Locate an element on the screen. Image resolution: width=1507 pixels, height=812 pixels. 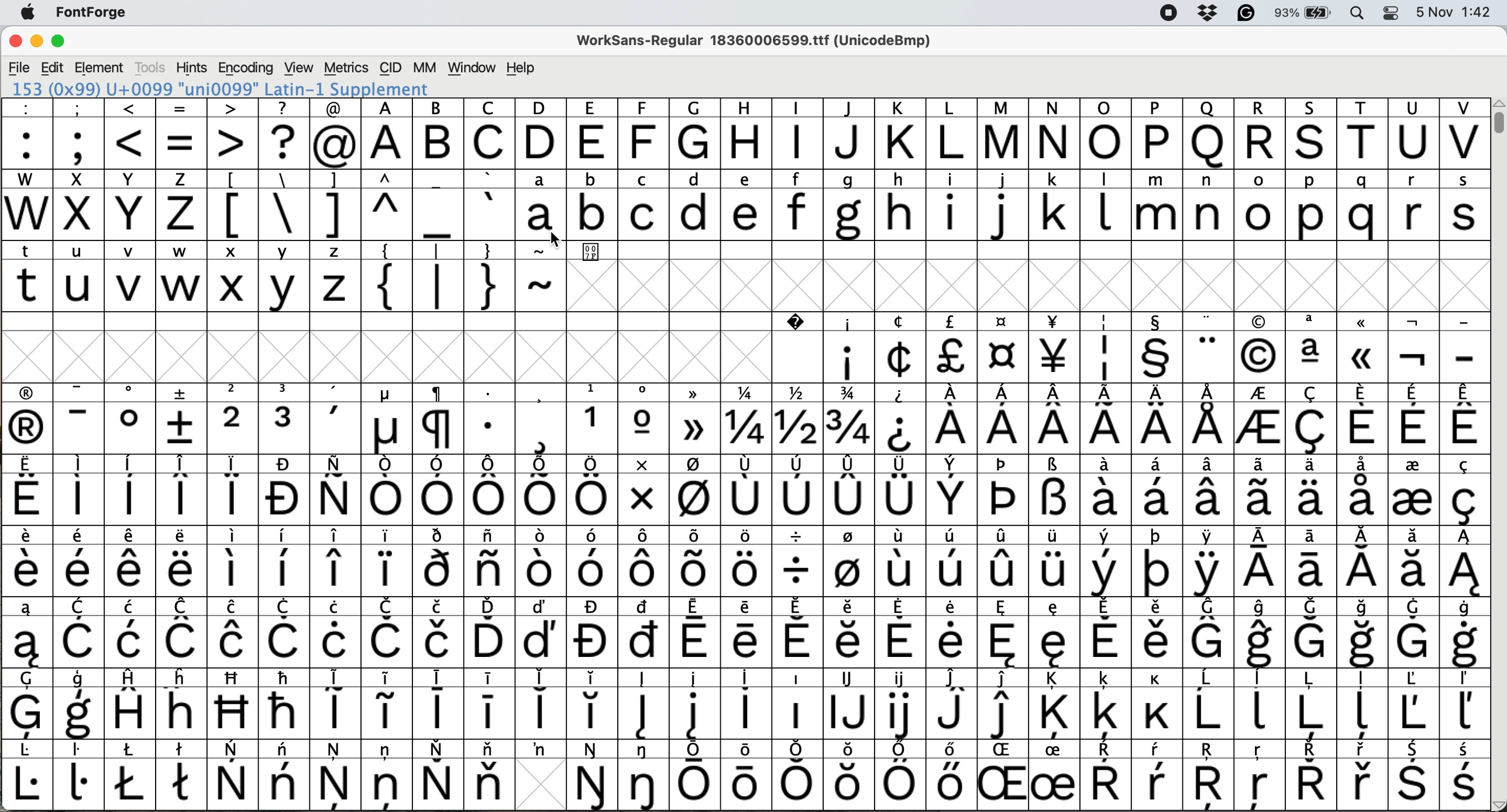
symbol is located at coordinates (643, 703).